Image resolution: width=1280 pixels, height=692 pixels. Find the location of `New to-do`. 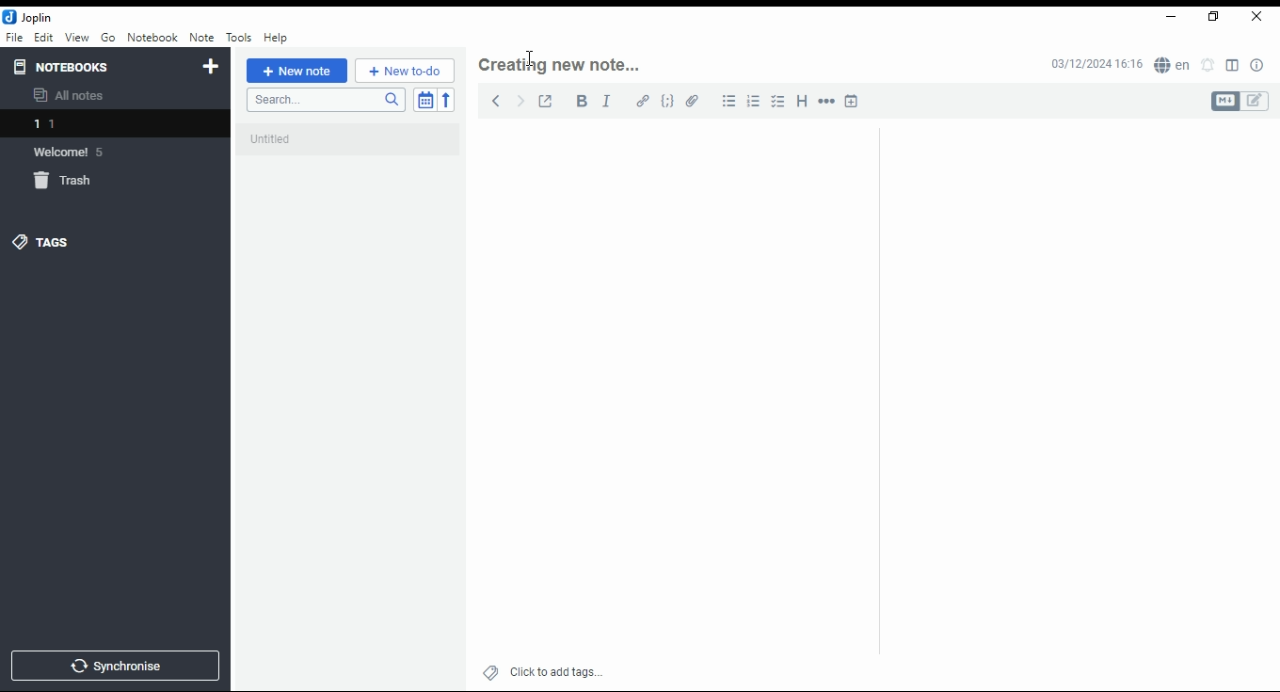

New to-do is located at coordinates (405, 71).